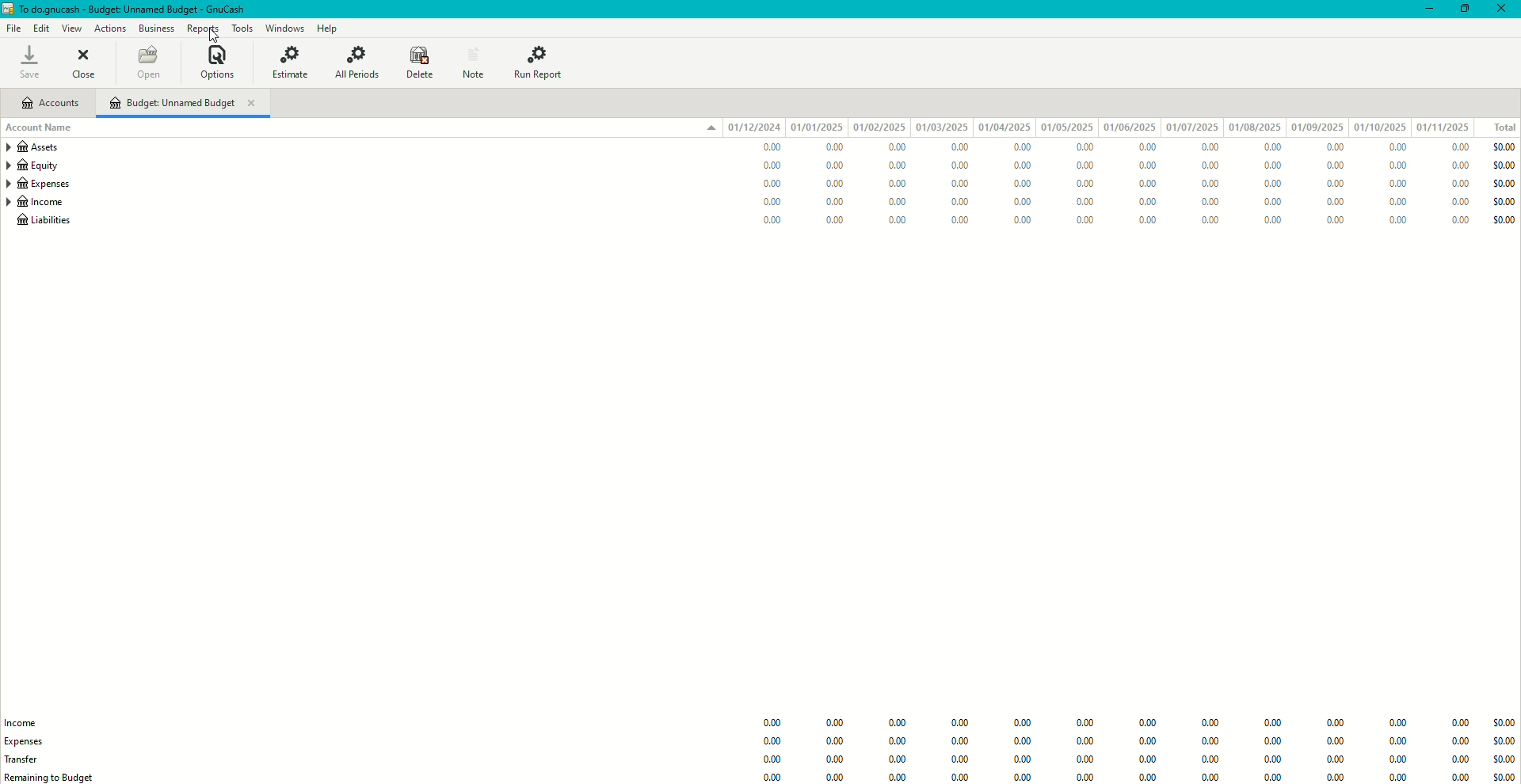 The height and width of the screenshot is (784, 1521). I want to click on 0.00, so click(770, 222).